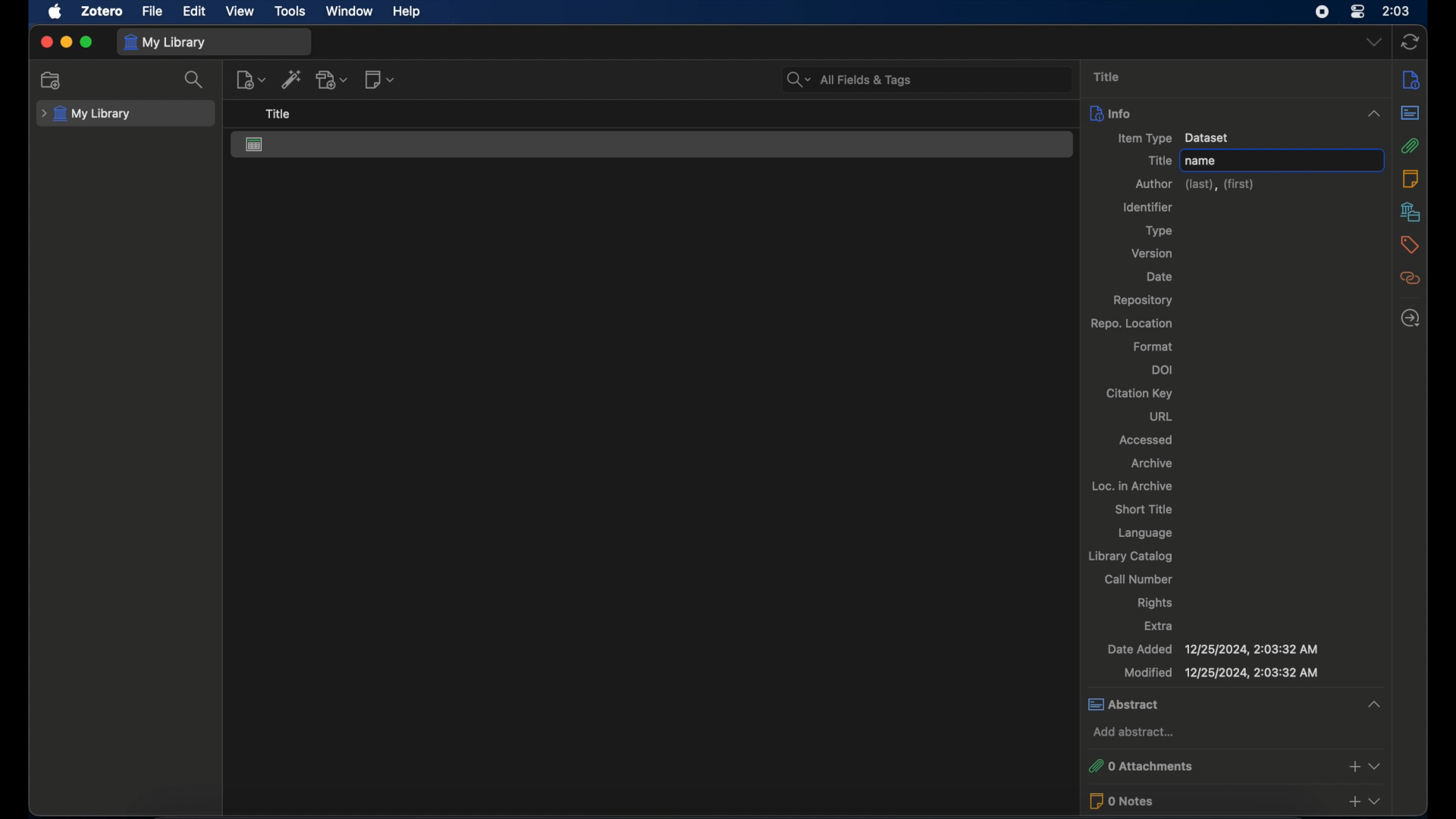  Describe the element at coordinates (1410, 113) in the screenshot. I see `abstract` at that location.